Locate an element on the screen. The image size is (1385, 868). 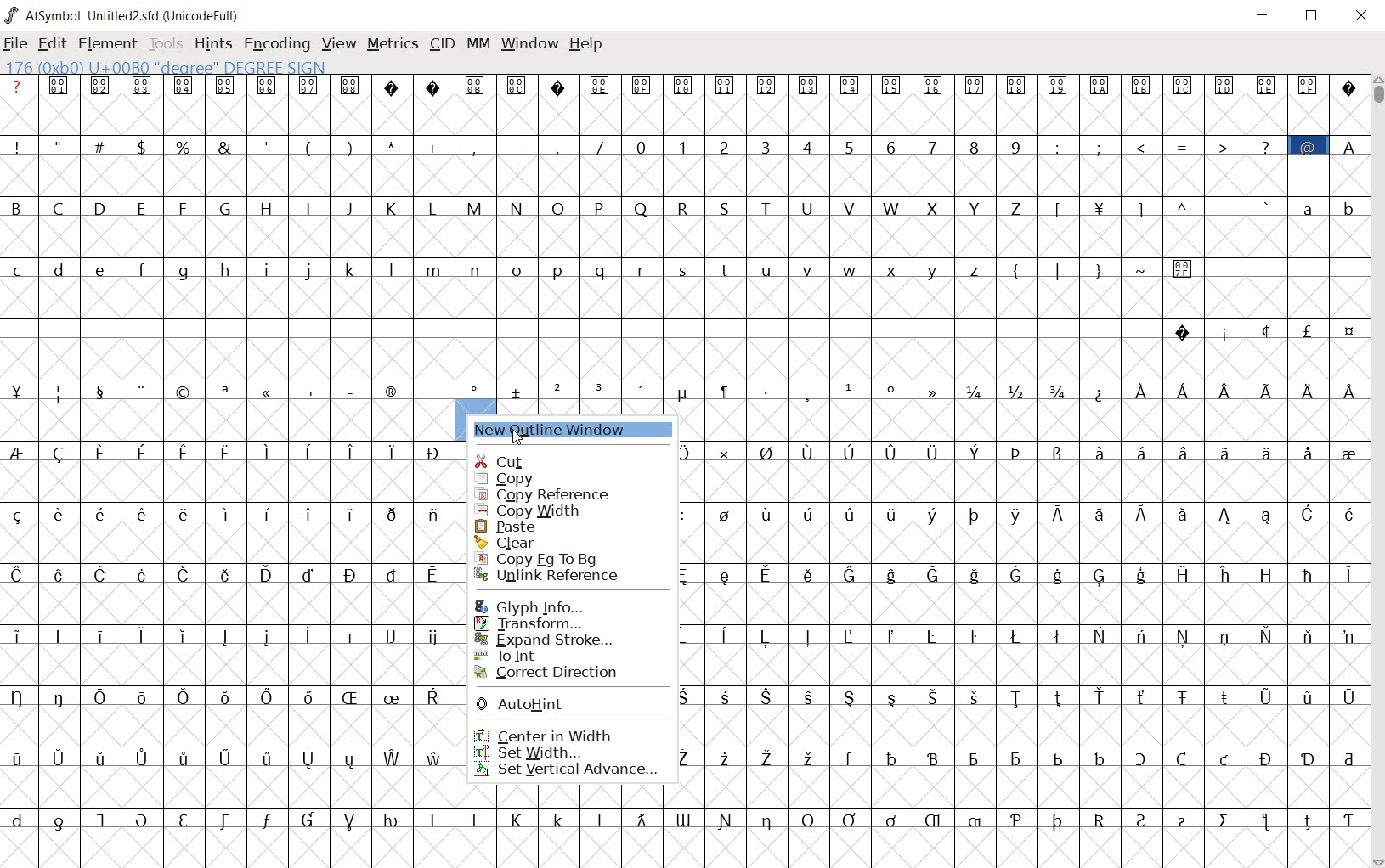
special characters is located at coordinates (1263, 330).